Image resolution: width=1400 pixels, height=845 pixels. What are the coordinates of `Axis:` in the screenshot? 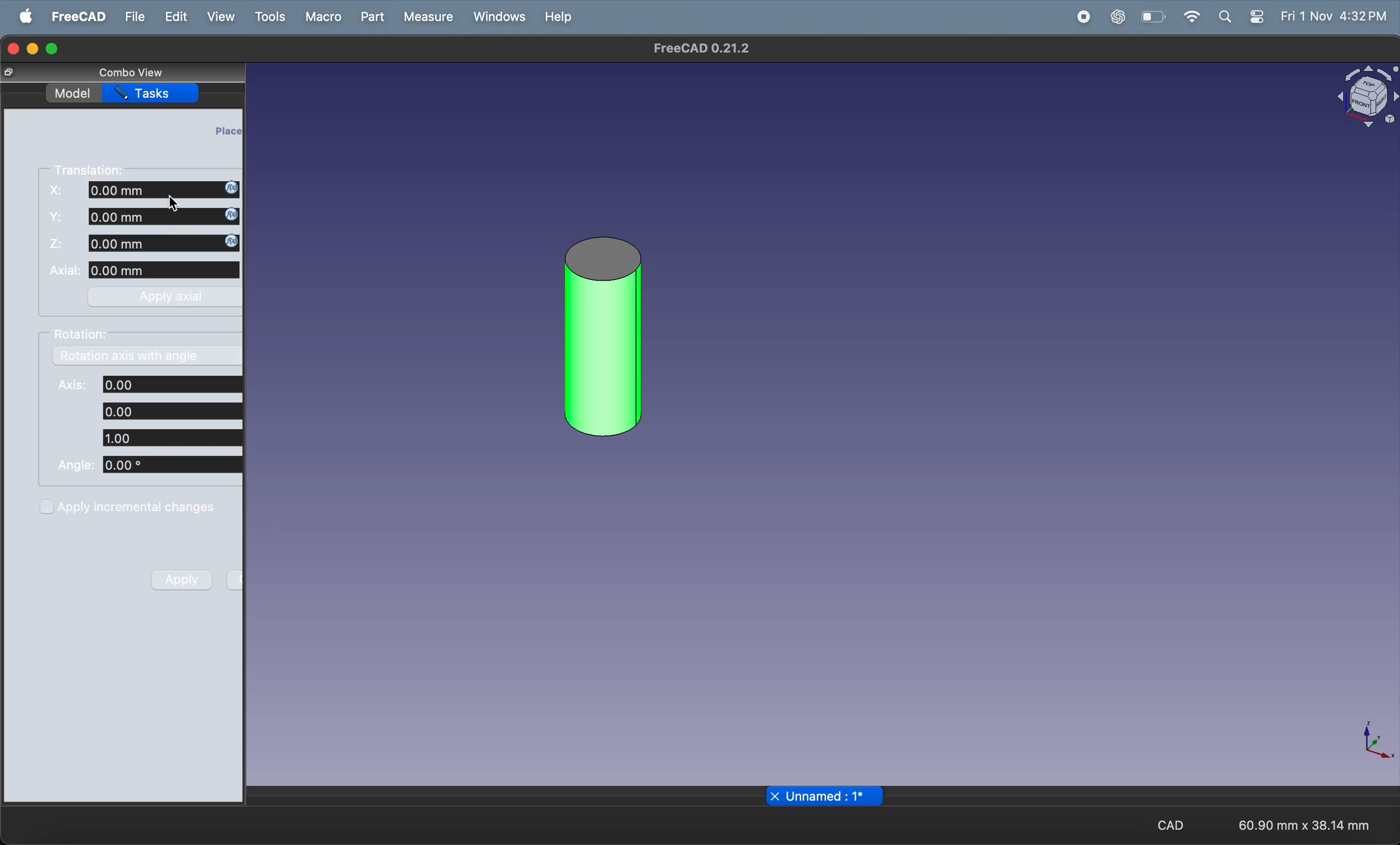 It's located at (69, 386).